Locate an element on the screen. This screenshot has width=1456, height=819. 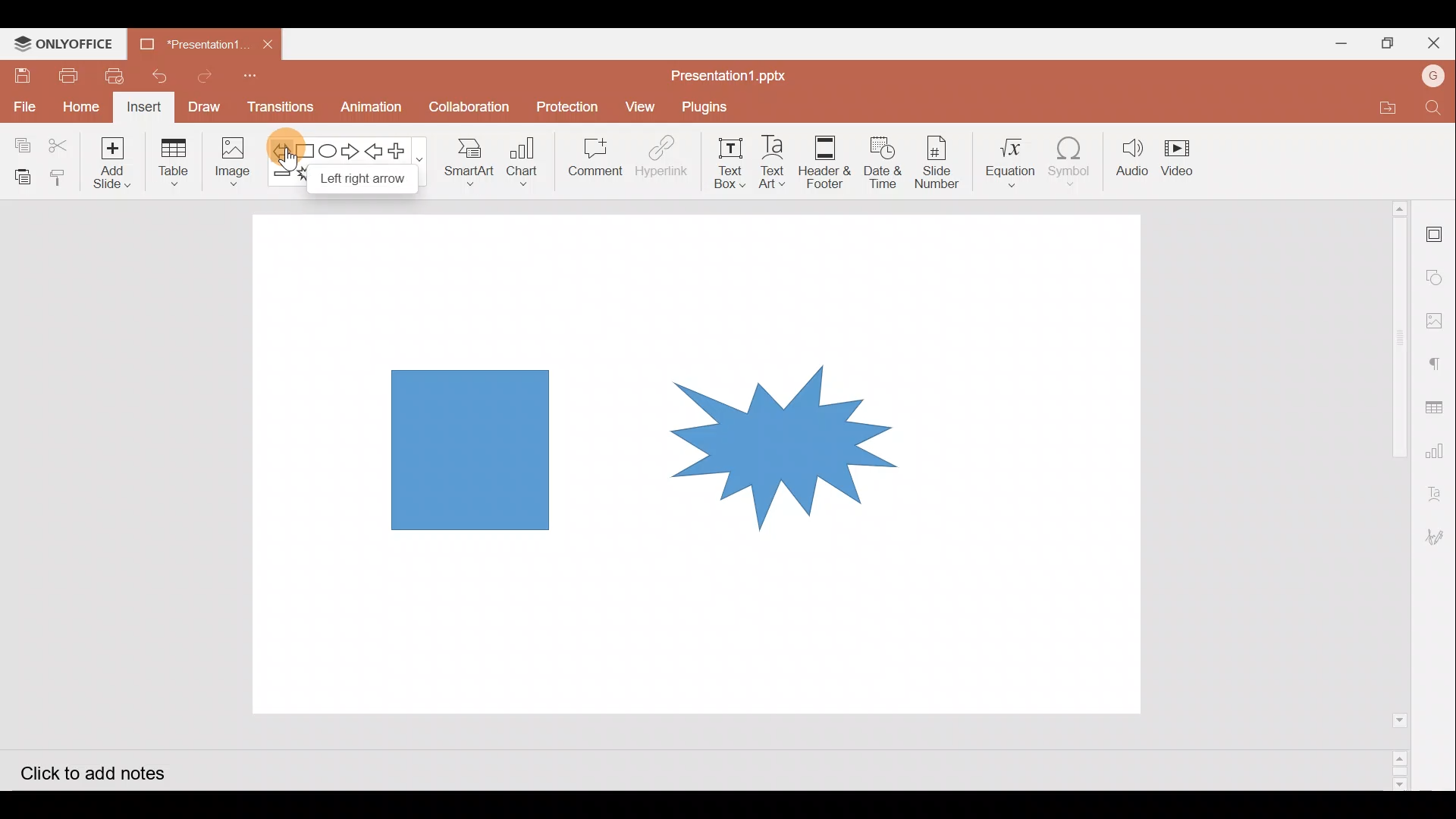
Click to add notes is located at coordinates (89, 770).